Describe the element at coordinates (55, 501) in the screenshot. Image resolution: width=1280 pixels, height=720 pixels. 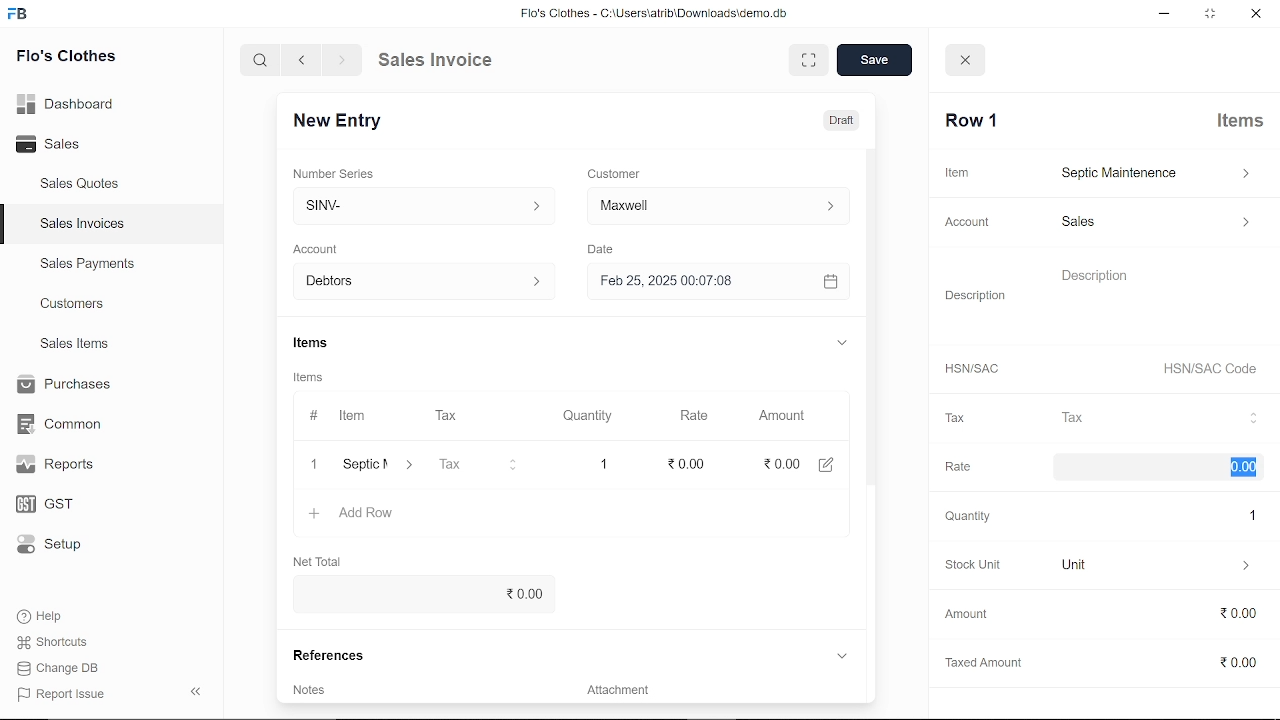
I see `GST` at that location.